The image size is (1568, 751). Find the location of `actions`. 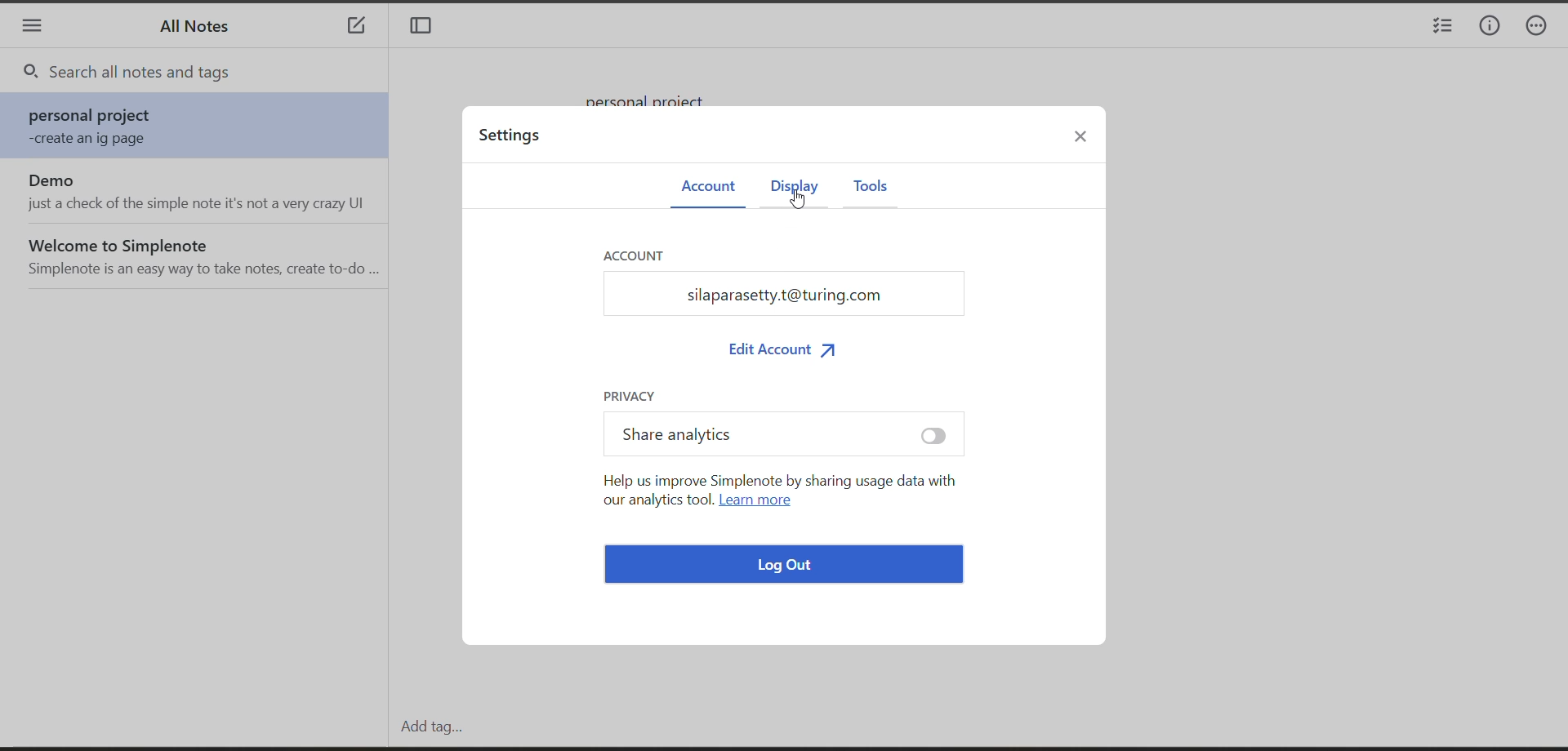

actions is located at coordinates (1543, 28).